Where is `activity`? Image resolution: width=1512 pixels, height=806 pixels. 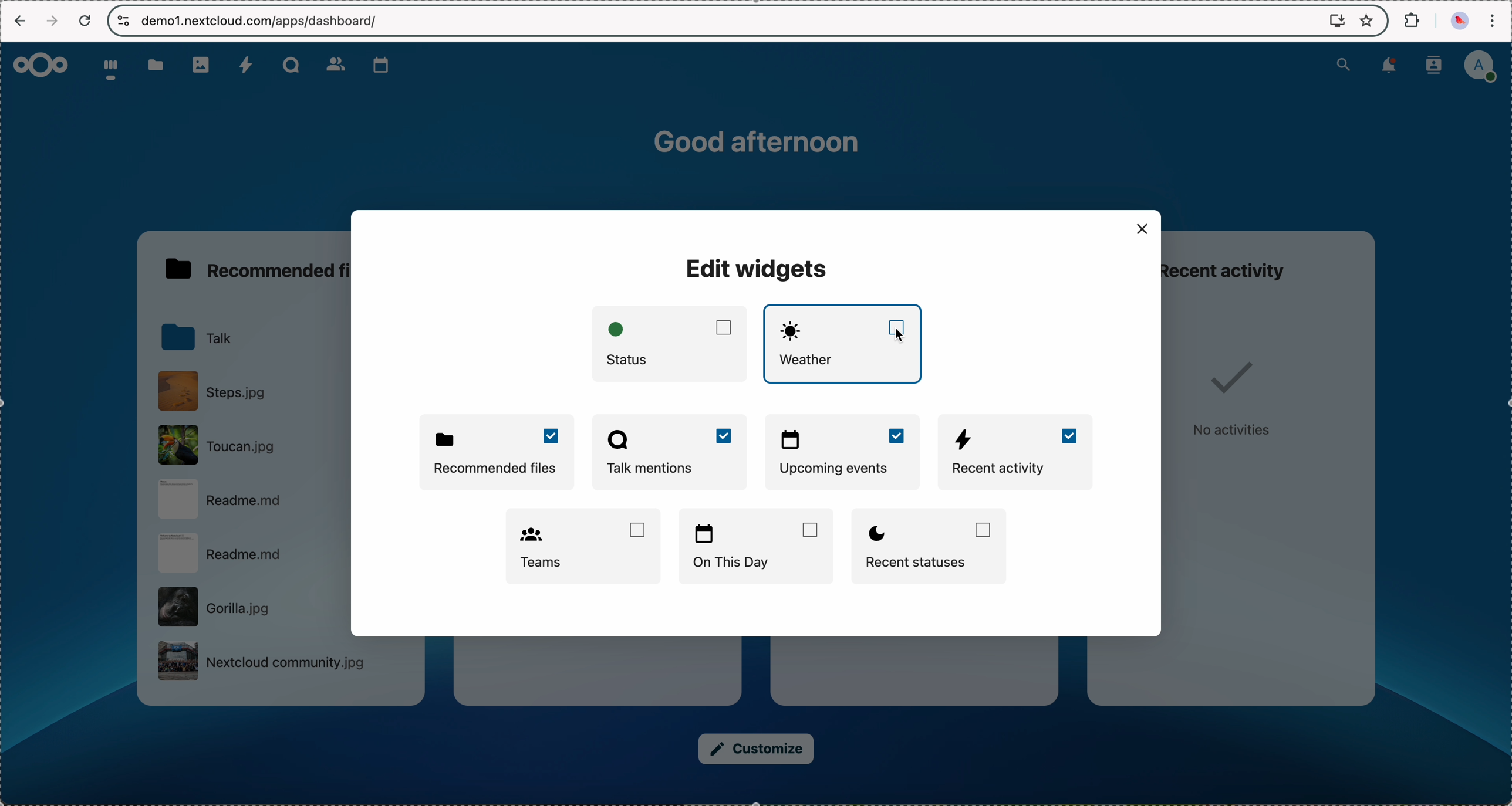
activity is located at coordinates (248, 66).